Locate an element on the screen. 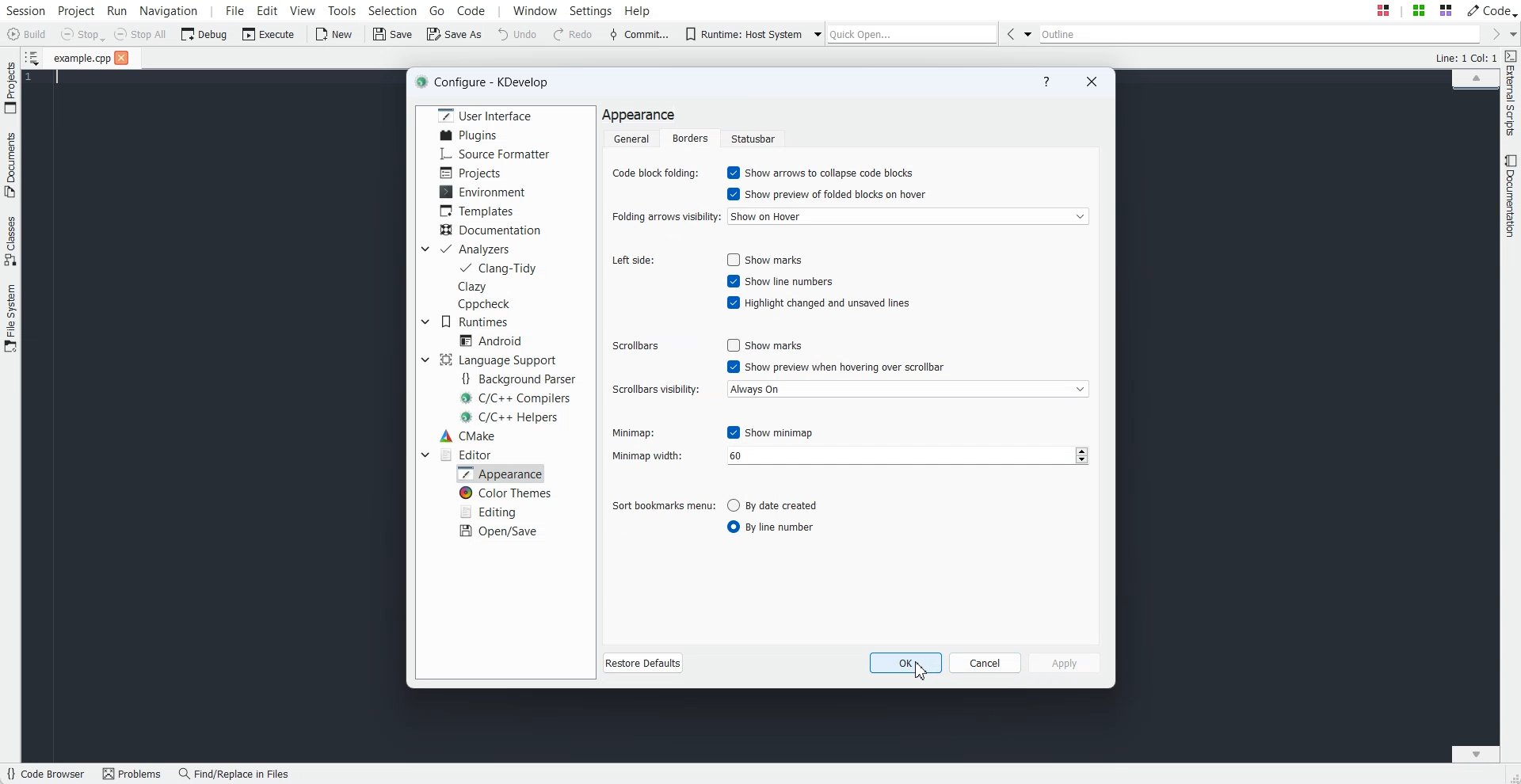 The width and height of the screenshot is (1521, 784). File is located at coordinates (81, 58).